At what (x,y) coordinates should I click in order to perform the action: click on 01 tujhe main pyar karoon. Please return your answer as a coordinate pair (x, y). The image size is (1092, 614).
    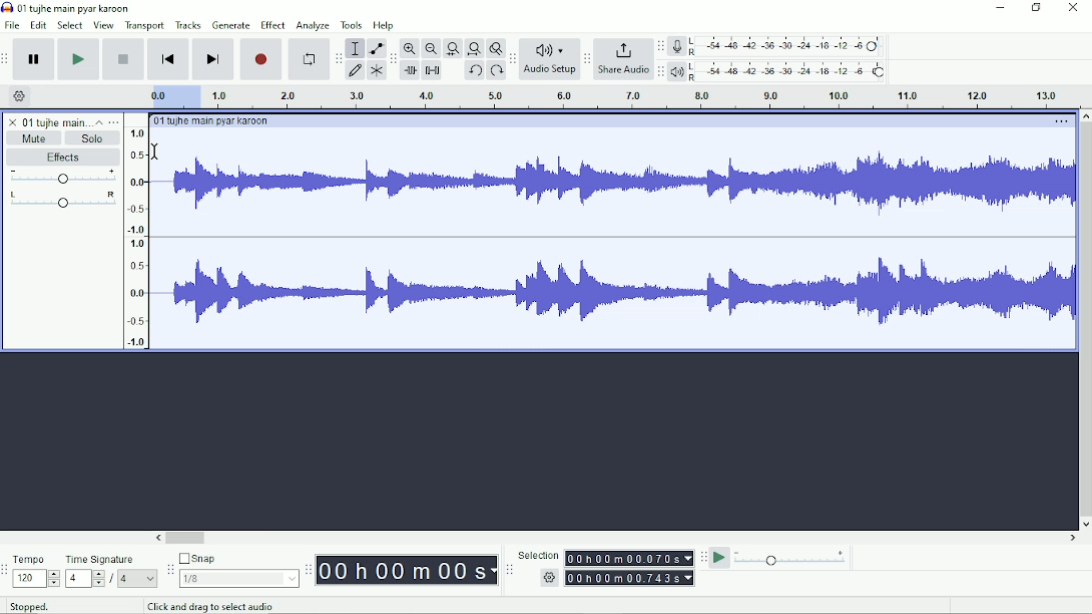
    Looking at the image, I should click on (215, 121).